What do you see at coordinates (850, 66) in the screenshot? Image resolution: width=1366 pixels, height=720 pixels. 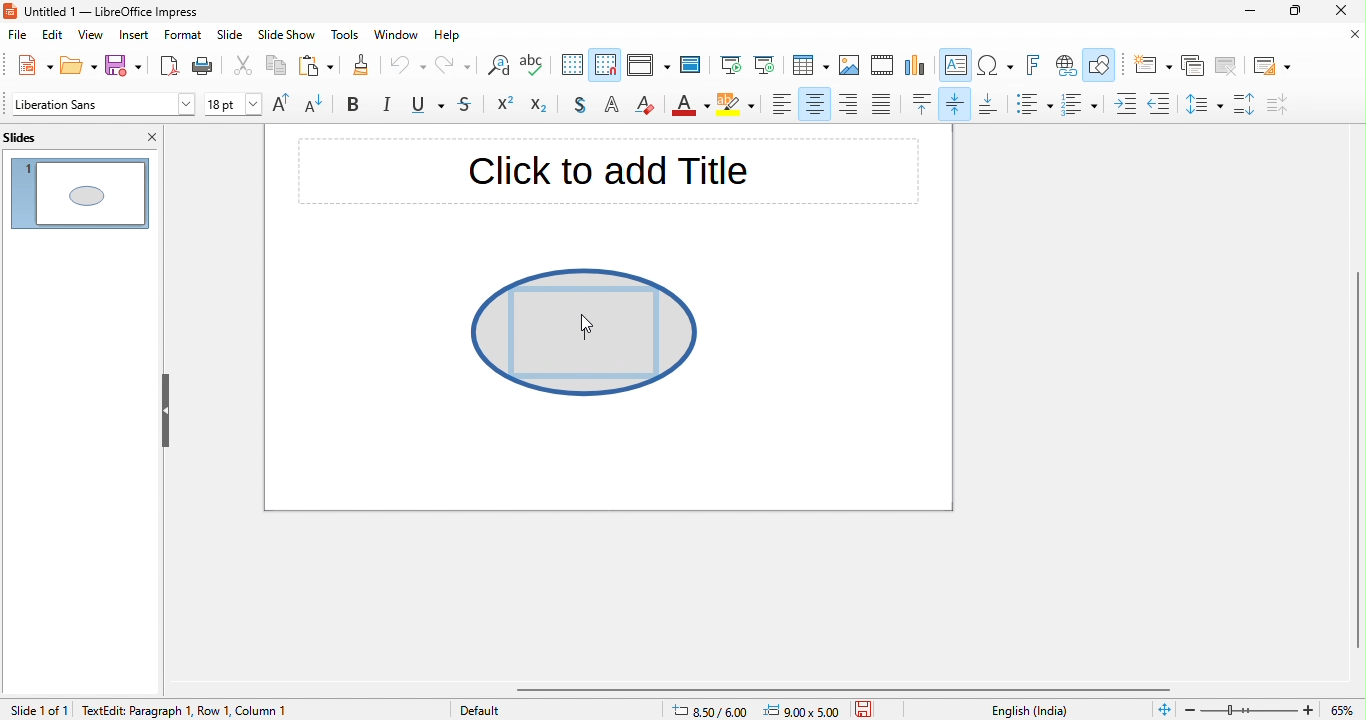 I see `image` at bounding box center [850, 66].